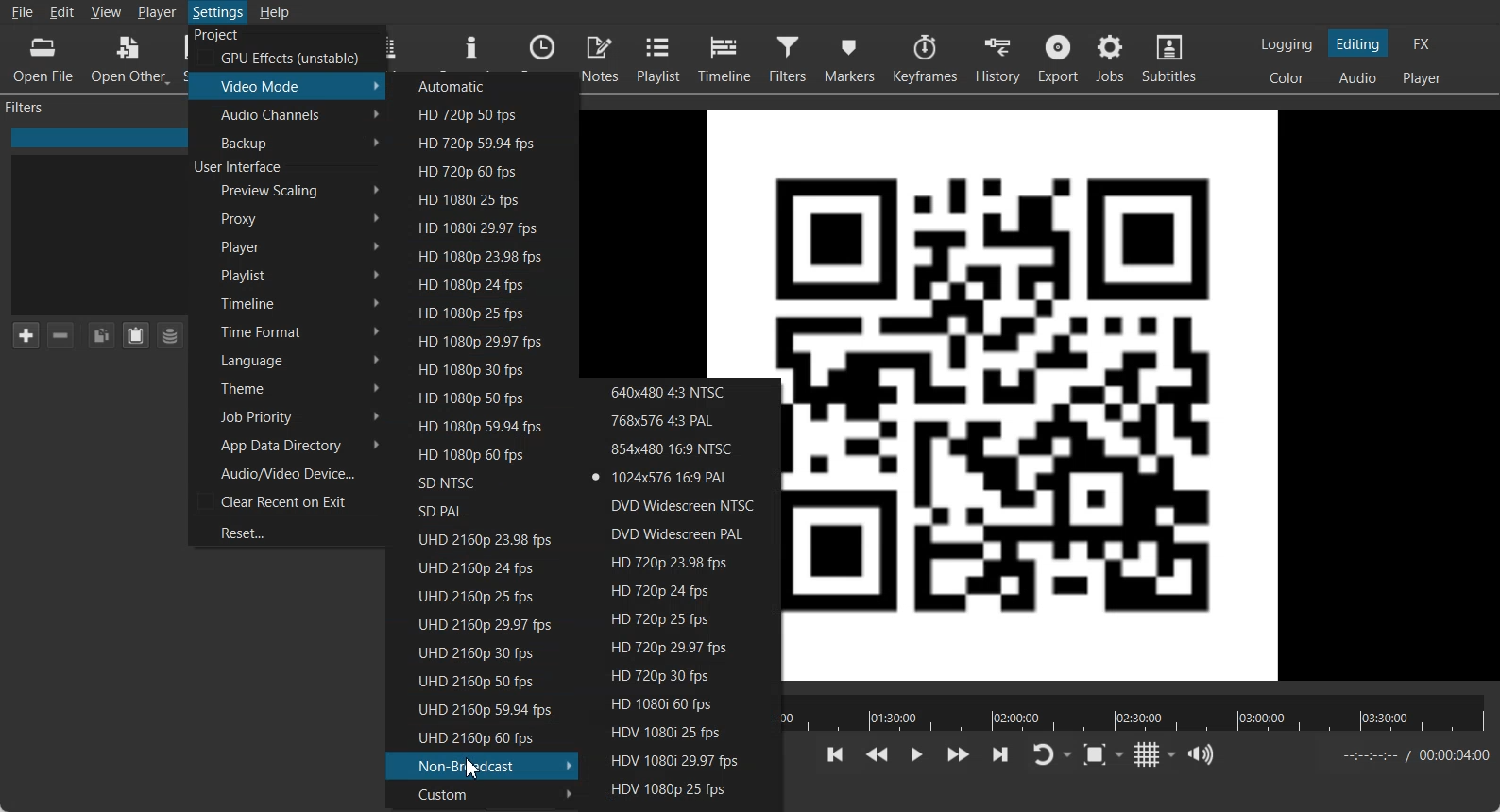 The width and height of the screenshot is (1500, 812). Describe the element at coordinates (877, 755) in the screenshot. I see `Play quickly backward` at that location.